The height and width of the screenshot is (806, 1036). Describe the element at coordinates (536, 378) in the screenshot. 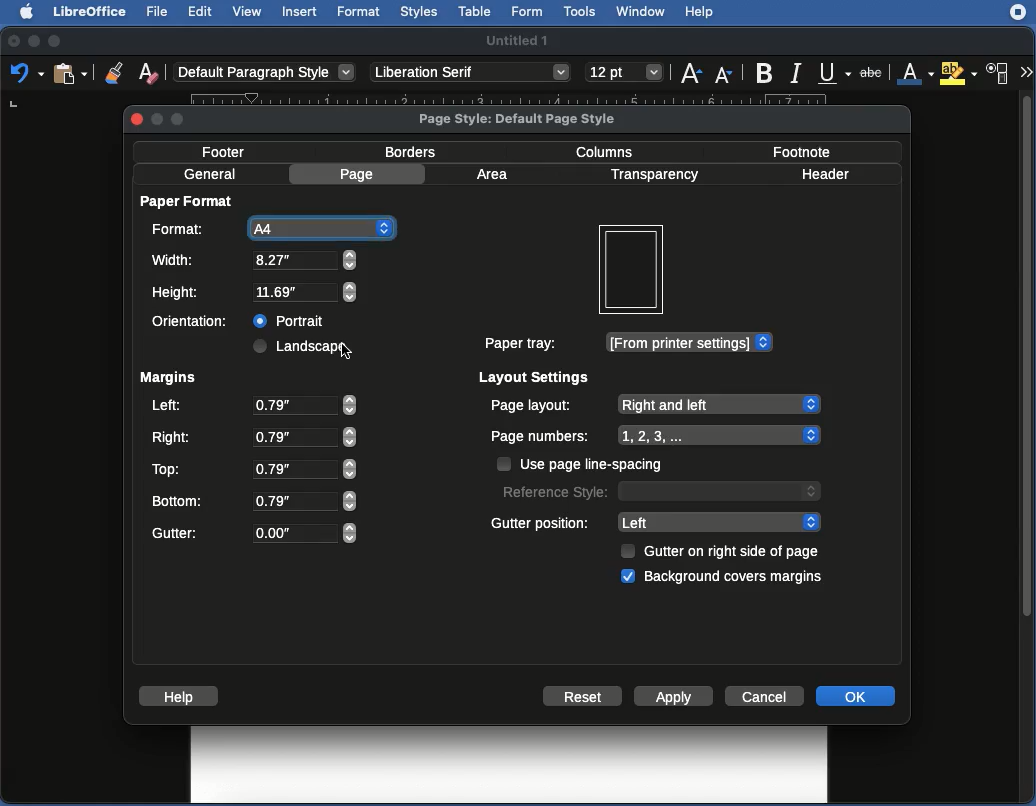

I see `Layout settings` at that location.